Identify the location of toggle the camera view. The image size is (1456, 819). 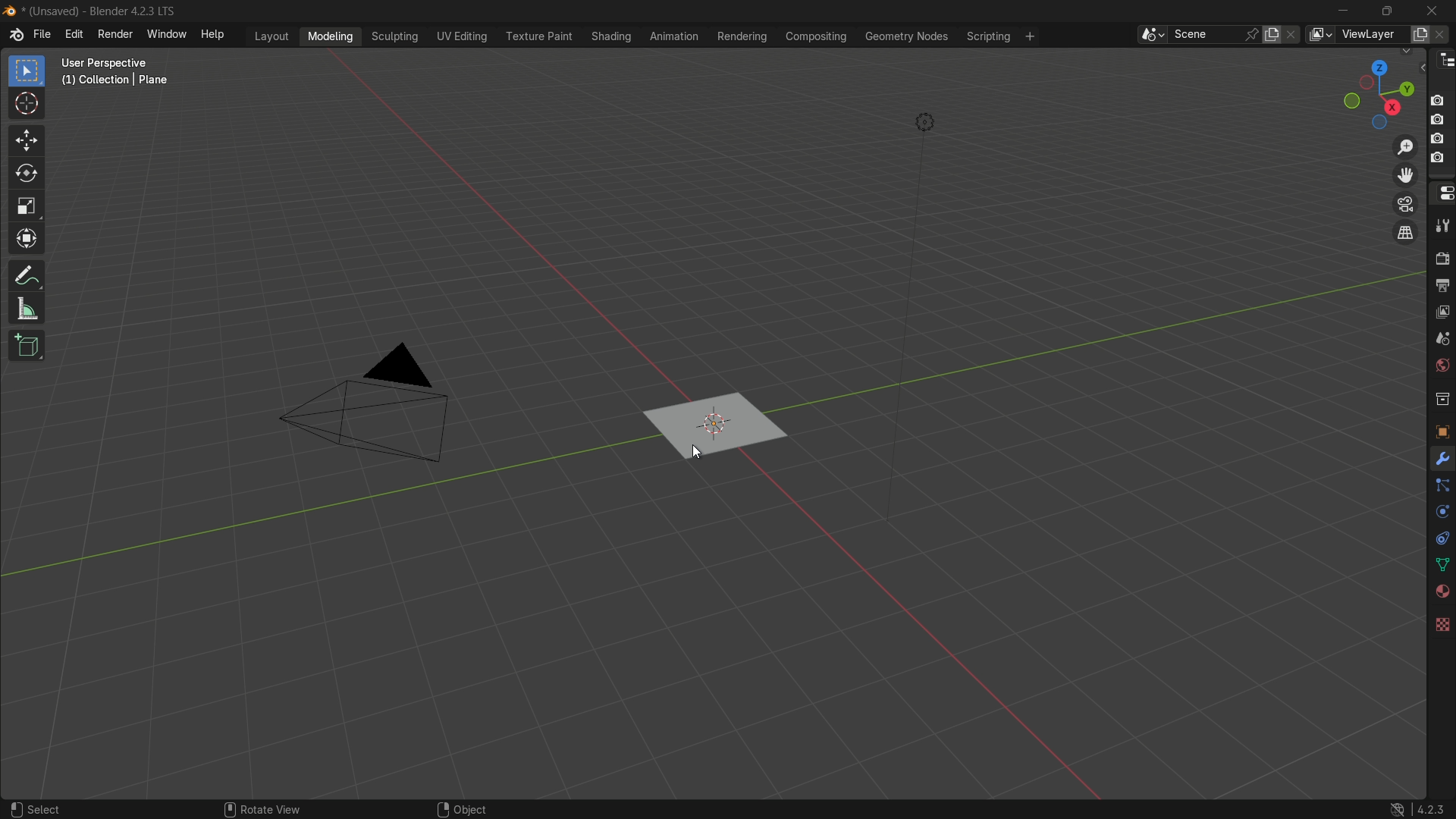
(1407, 205).